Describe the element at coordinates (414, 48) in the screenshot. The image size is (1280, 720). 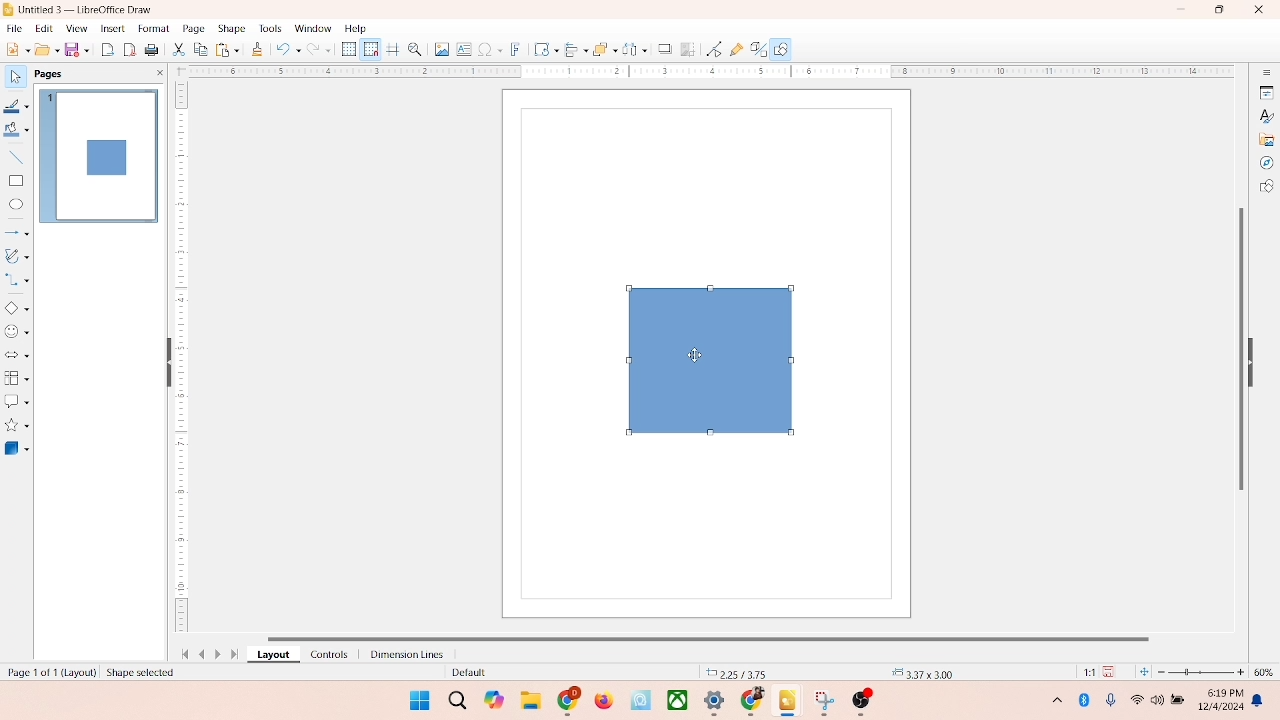
I see `zoom and pan` at that location.